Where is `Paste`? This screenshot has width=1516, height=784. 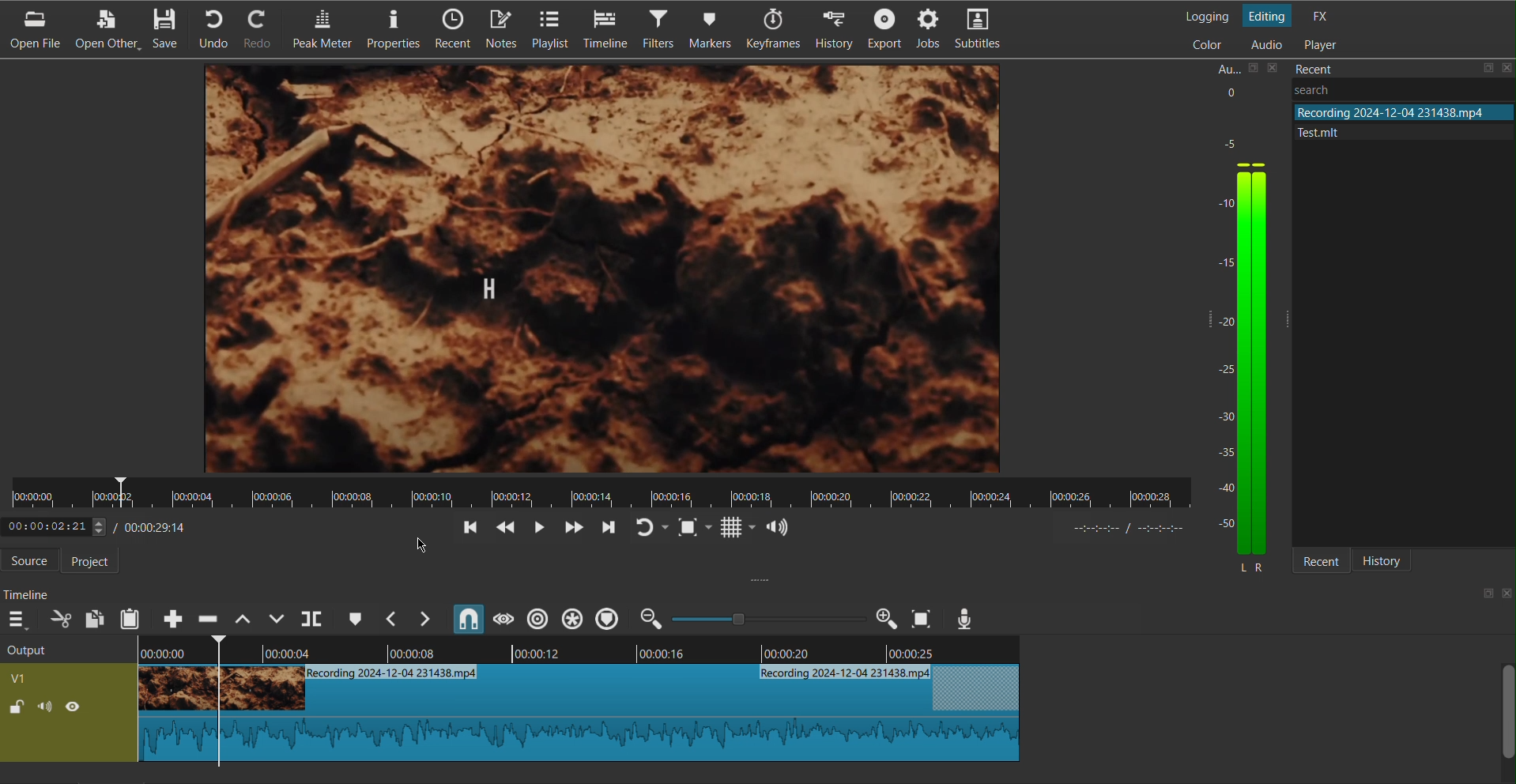 Paste is located at coordinates (130, 616).